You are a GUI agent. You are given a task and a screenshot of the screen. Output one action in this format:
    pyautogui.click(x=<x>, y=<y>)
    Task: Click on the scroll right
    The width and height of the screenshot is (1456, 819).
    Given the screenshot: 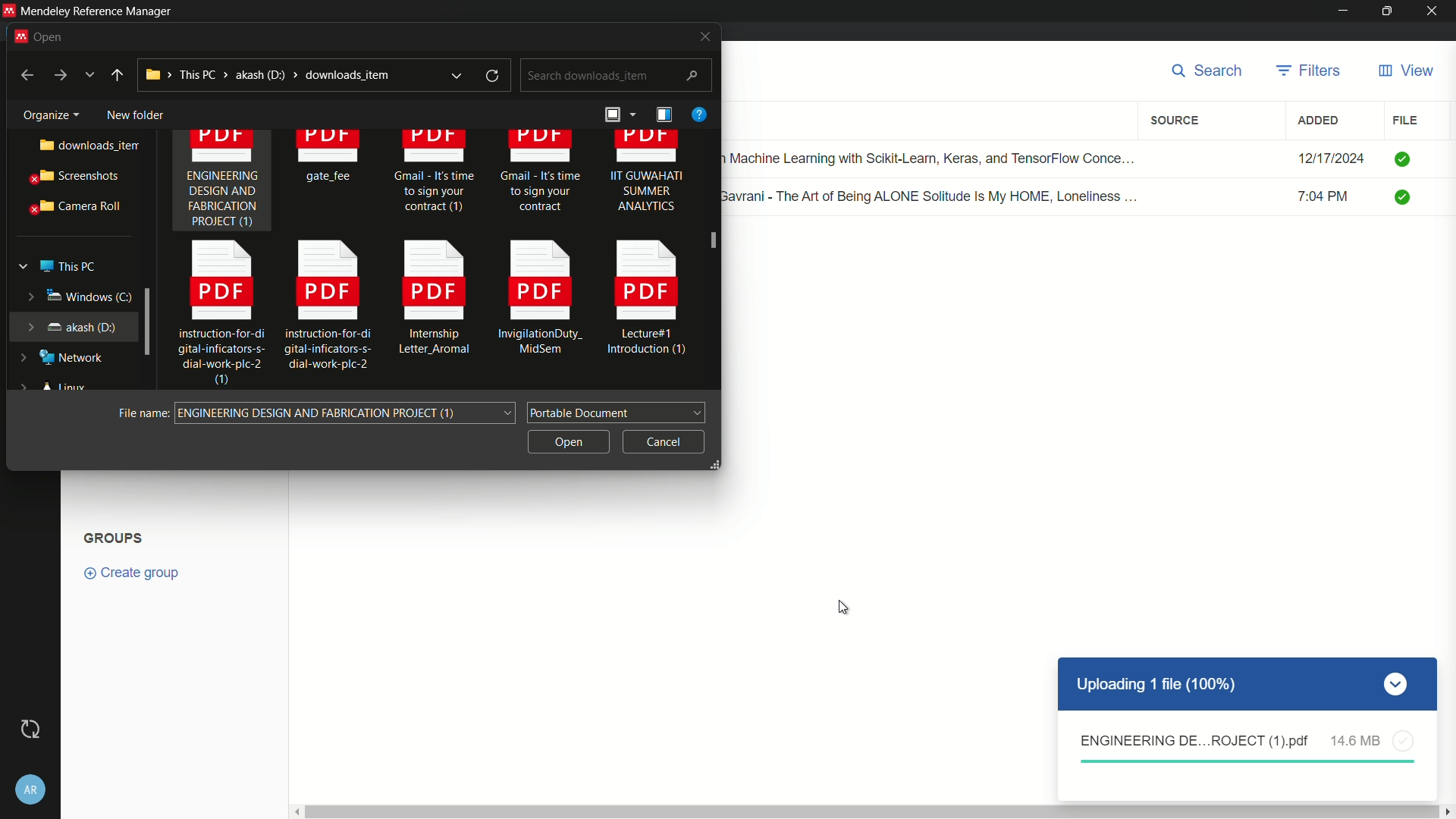 What is the action you would take?
    pyautogui.click(x=1447, y=811)
    